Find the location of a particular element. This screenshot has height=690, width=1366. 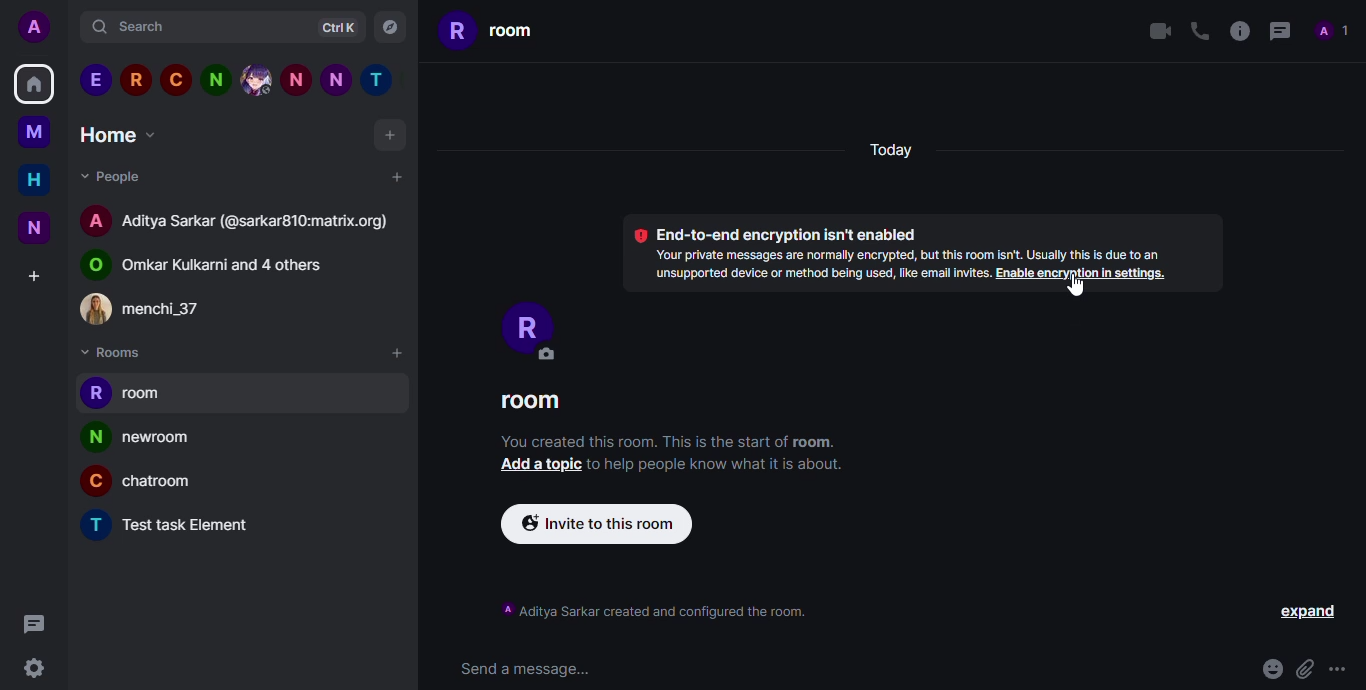

people dropdown is located at coordinates (114, 176).